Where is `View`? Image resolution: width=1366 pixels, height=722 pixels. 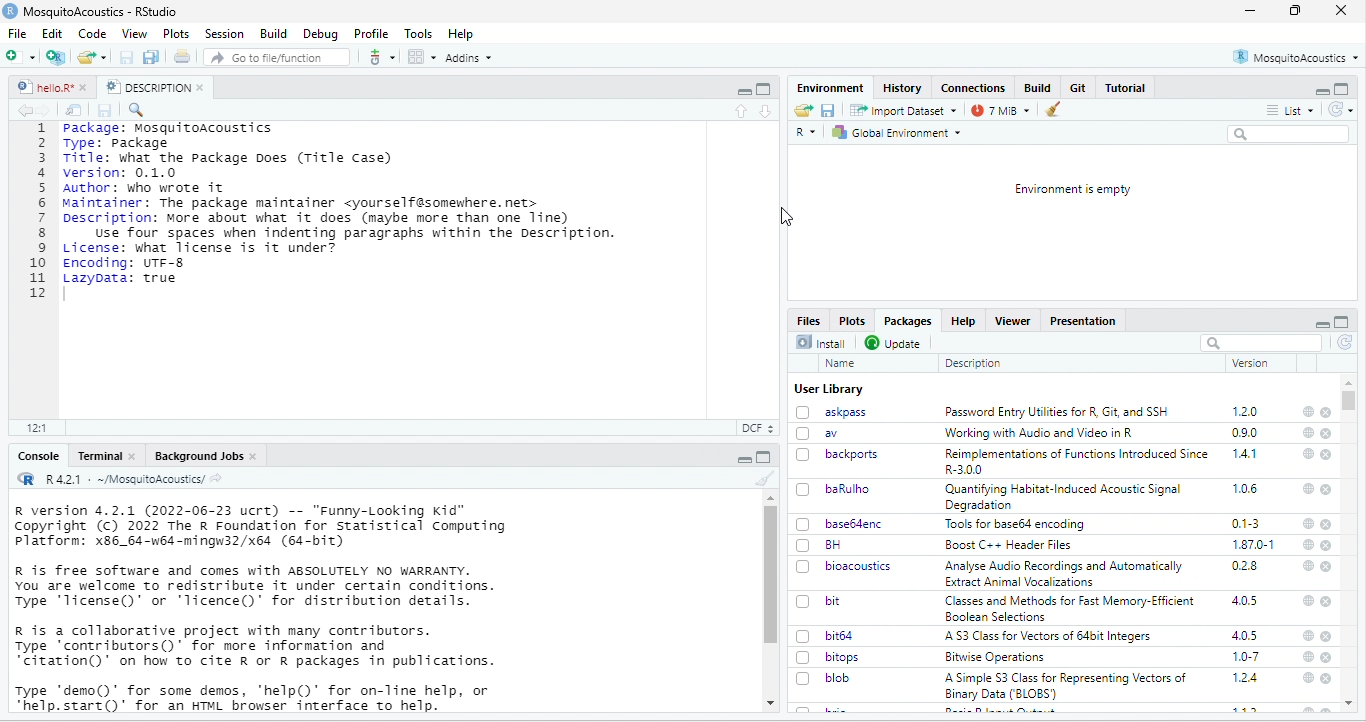
View is located at coordinates (134, 32).